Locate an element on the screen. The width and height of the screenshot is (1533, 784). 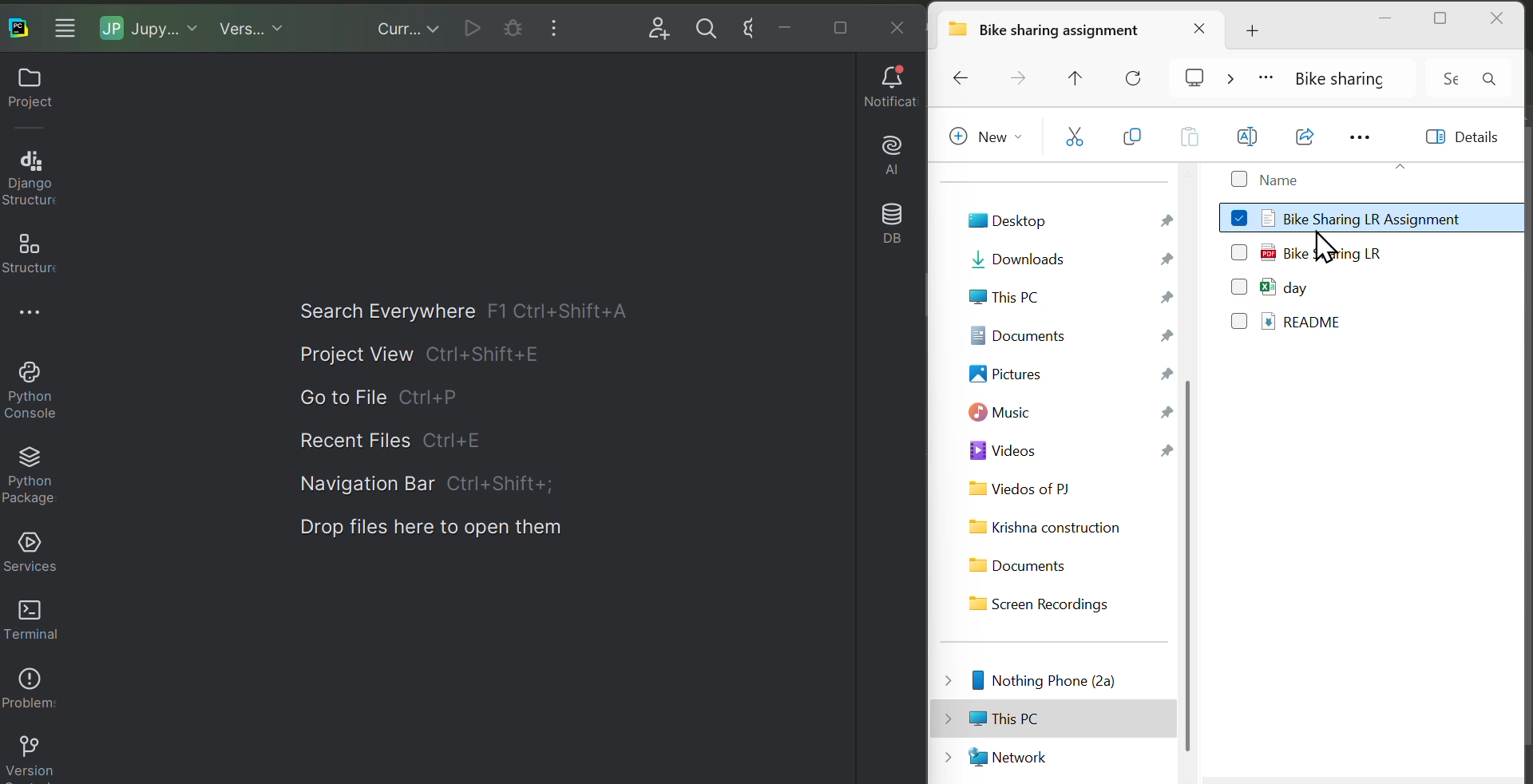
Nothing of PJ is located at coordinates (1040, 679).